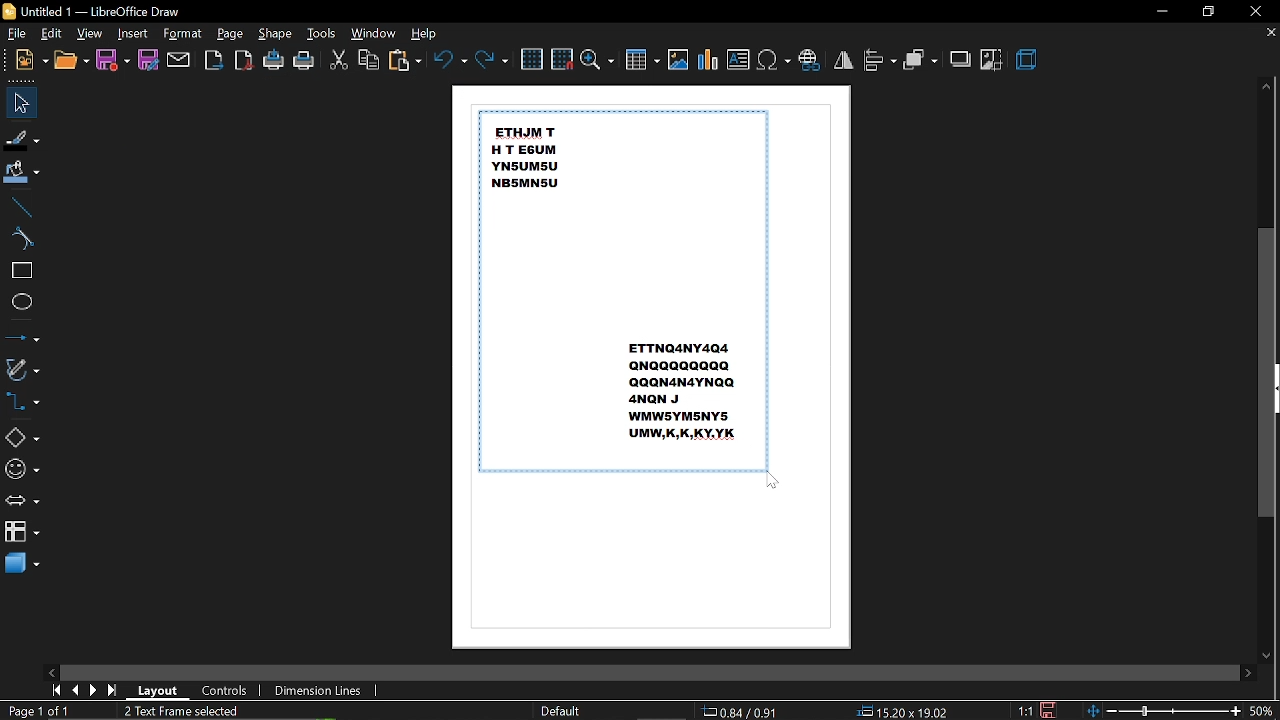 This screenshot has width=1280, height=720. I want to click on help, so click(428, 33).